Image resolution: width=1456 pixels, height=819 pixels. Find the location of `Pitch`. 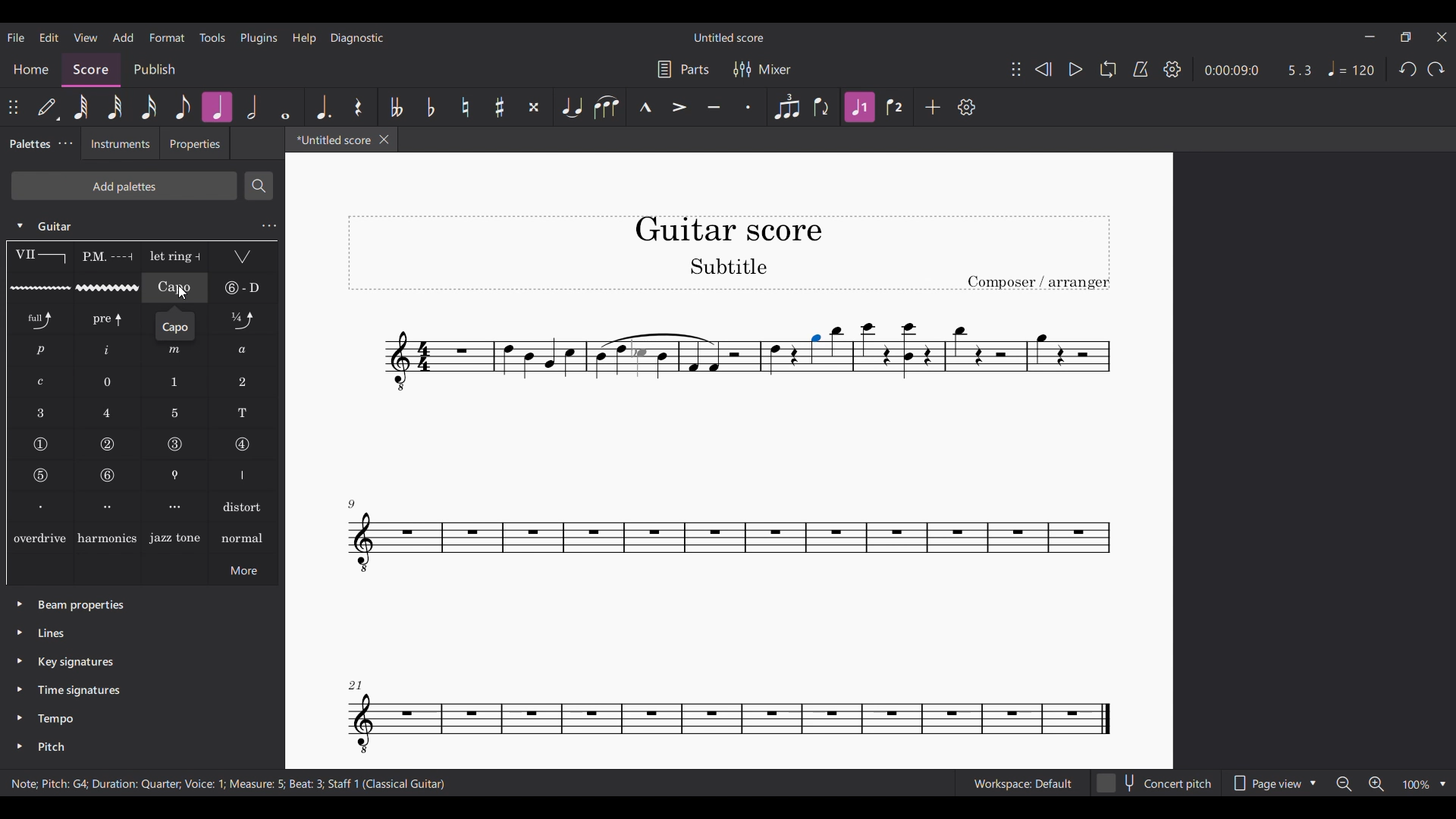

Pitch is located at coordinates (50, 747).